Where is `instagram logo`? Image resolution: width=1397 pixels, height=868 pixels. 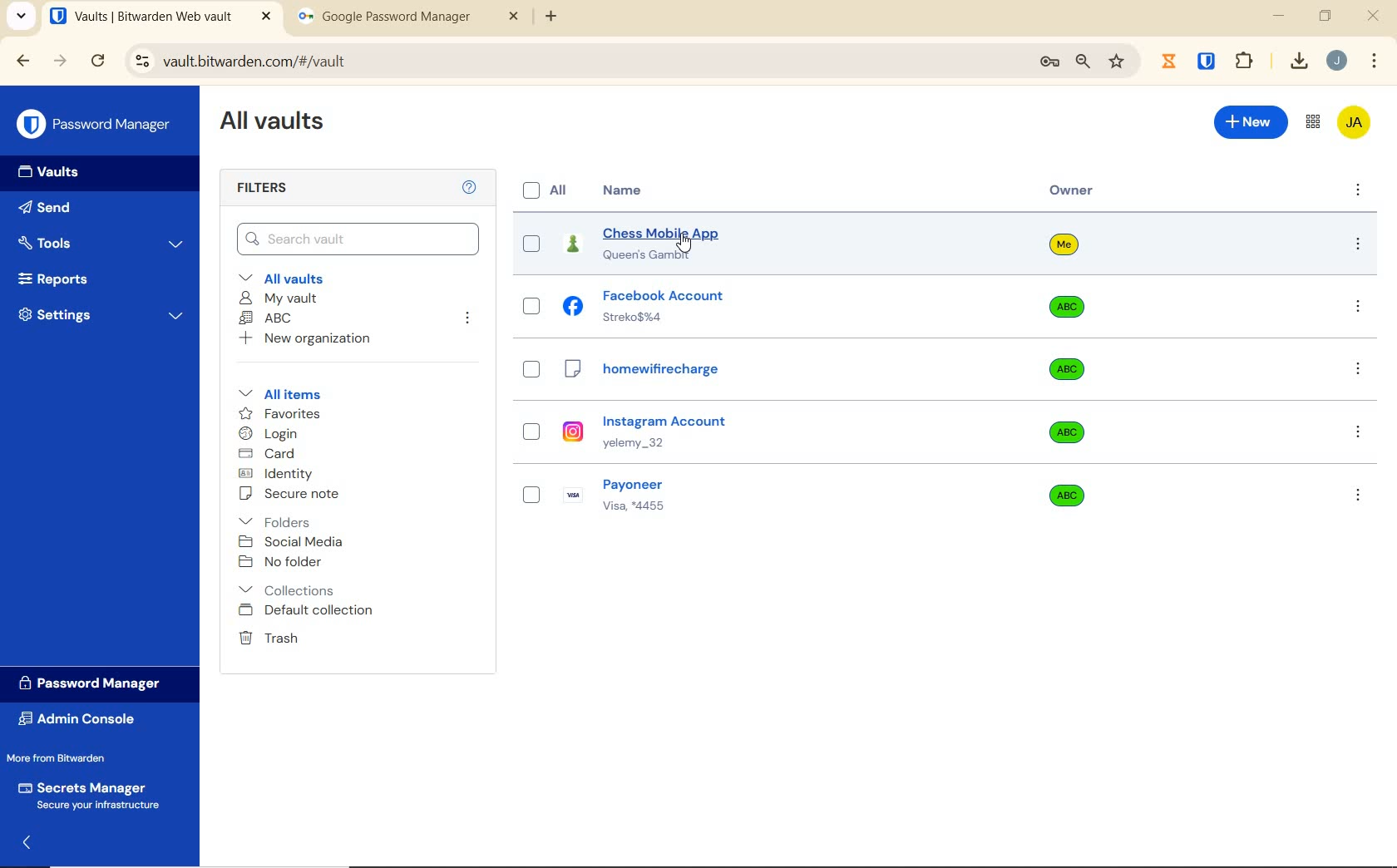 instagram logo is located at coordinates (573, 430).